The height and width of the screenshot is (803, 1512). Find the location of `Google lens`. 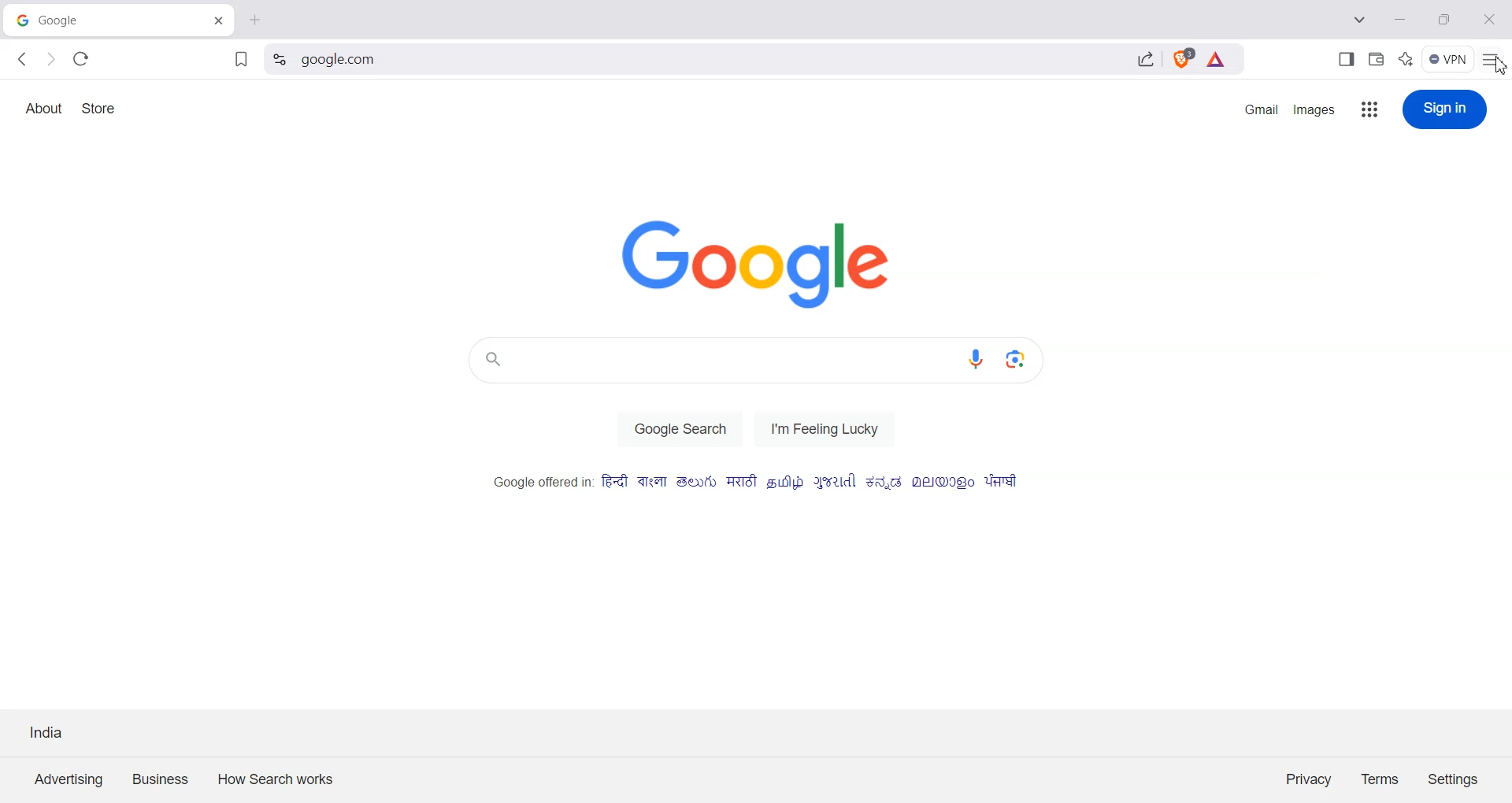

Google lens is located at coordinates (1026, 358).